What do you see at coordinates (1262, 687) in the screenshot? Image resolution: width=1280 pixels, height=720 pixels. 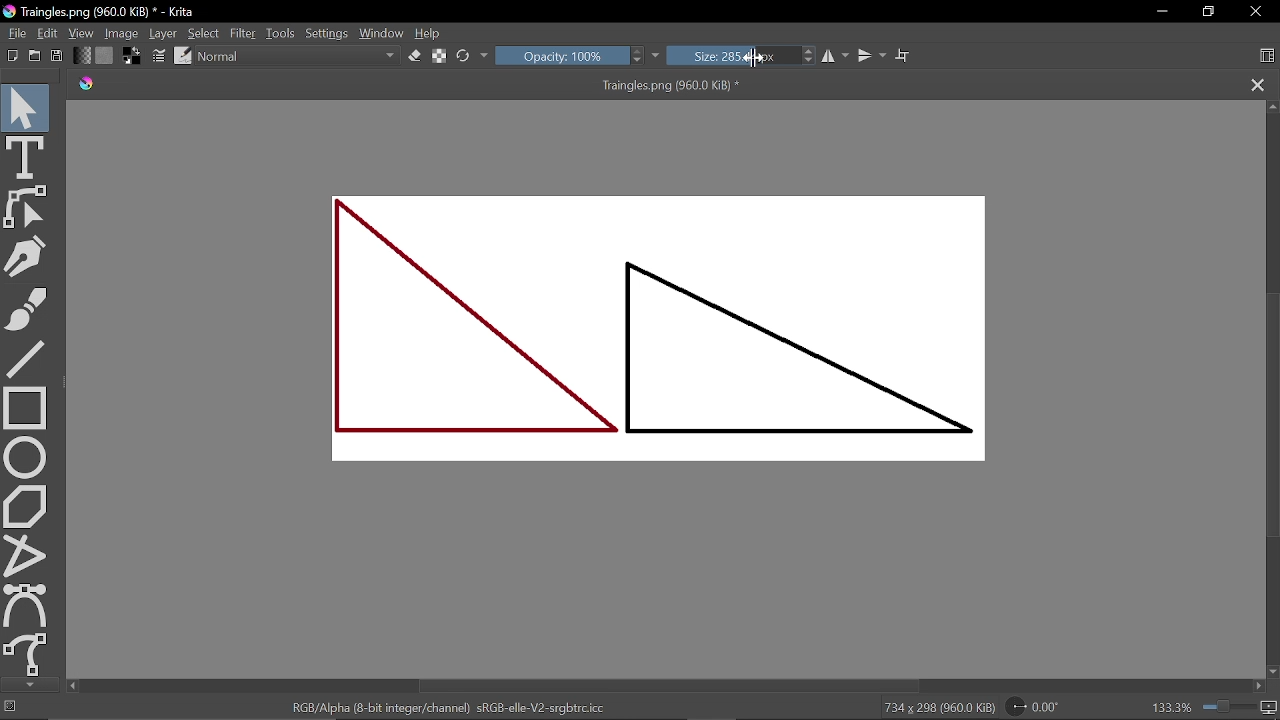 I see `Move right` at bounding box center [1262, 687].